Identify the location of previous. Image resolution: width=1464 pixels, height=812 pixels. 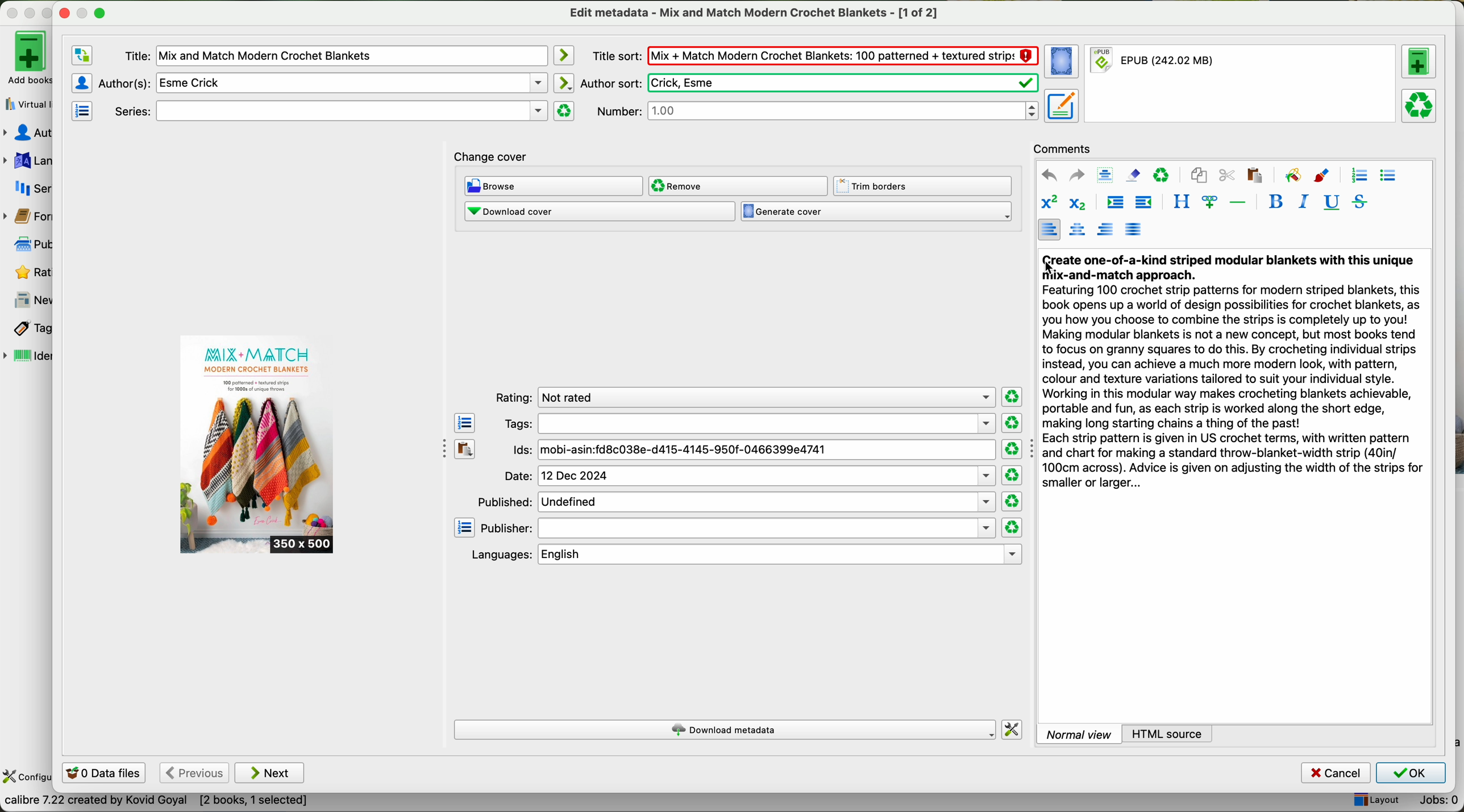
(193, 773).